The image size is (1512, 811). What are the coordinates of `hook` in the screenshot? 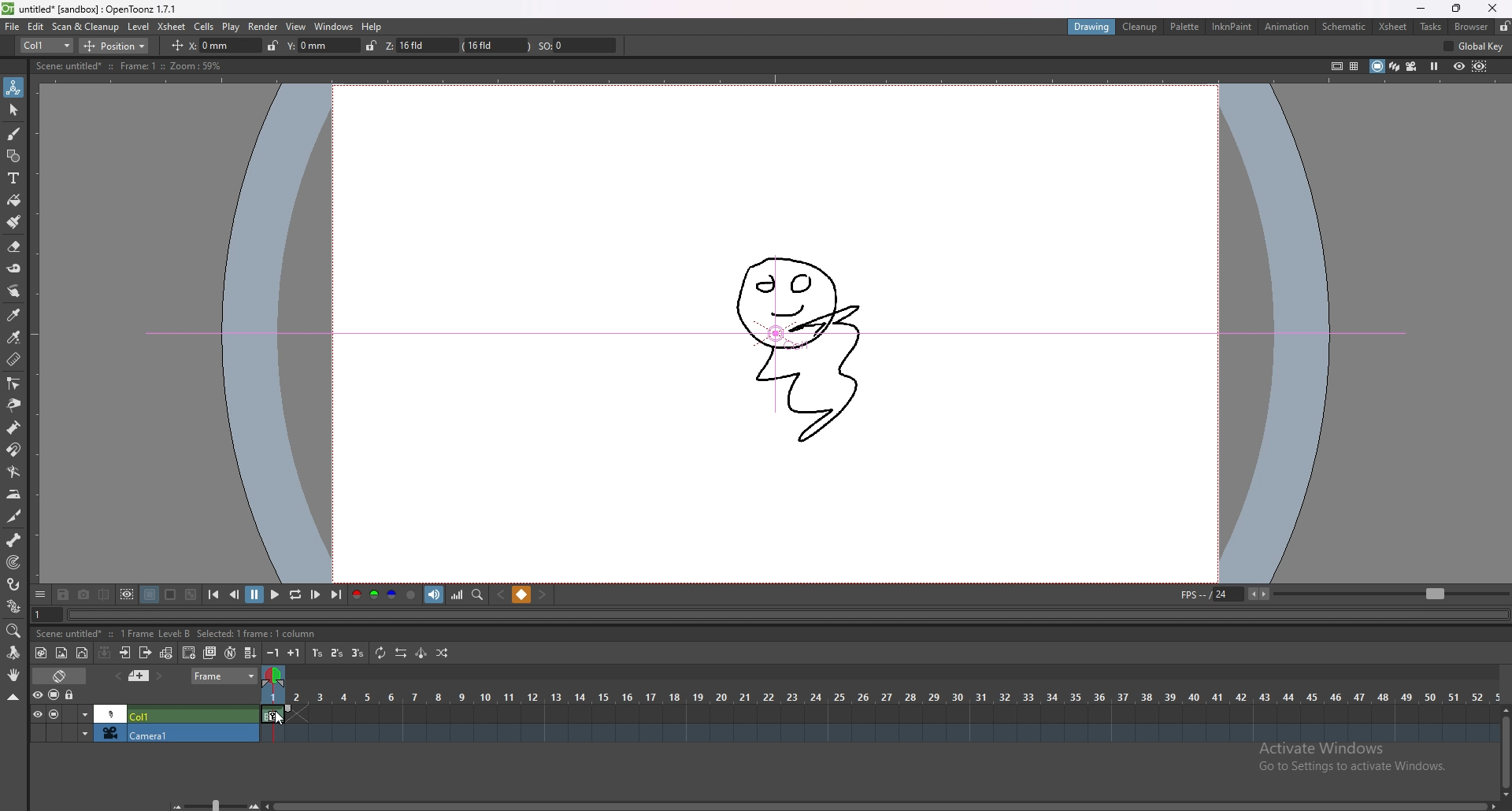 It's located at (15, 584).